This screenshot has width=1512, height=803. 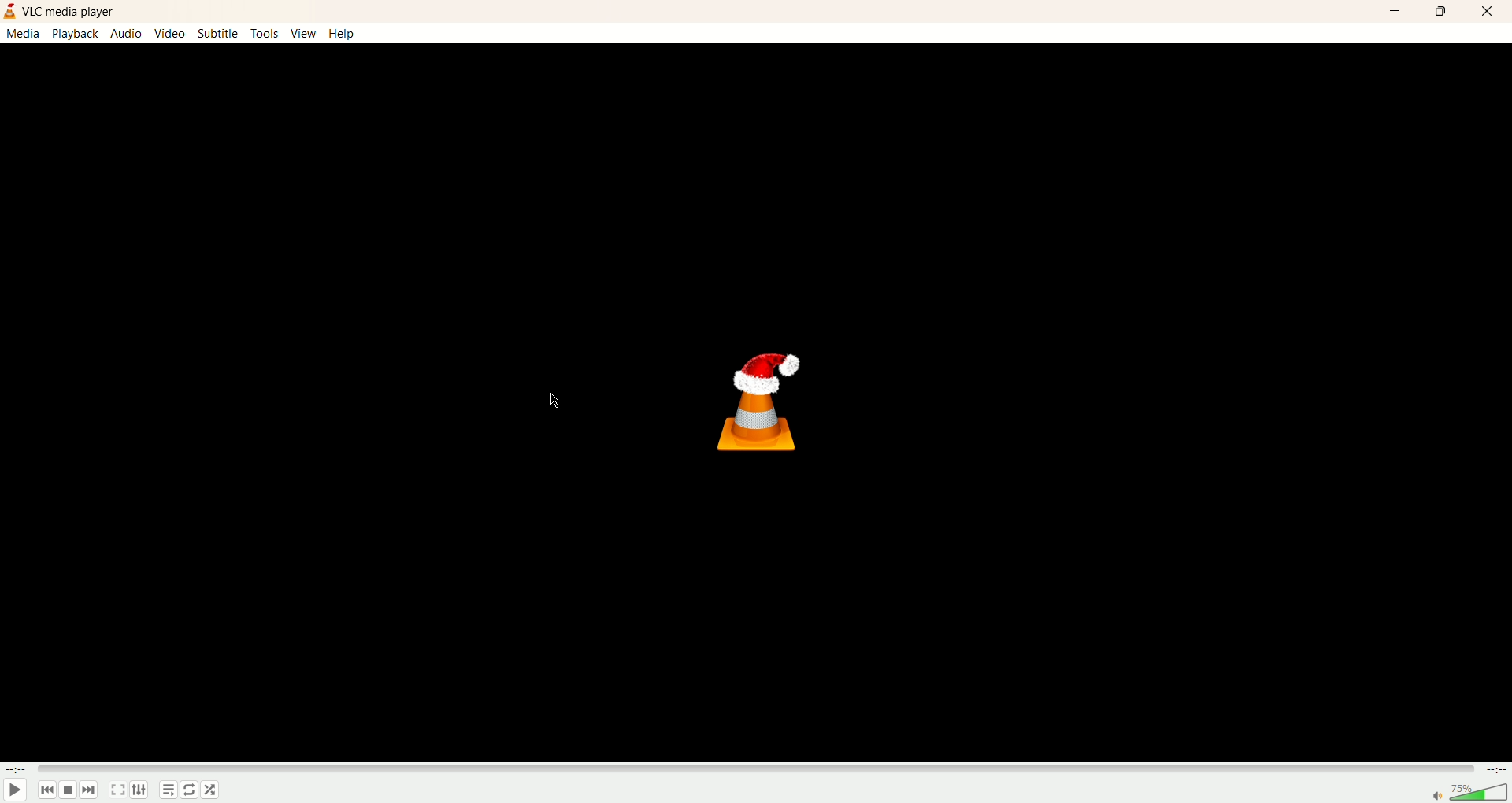 I want to click on next, so click(x=89, y=790).